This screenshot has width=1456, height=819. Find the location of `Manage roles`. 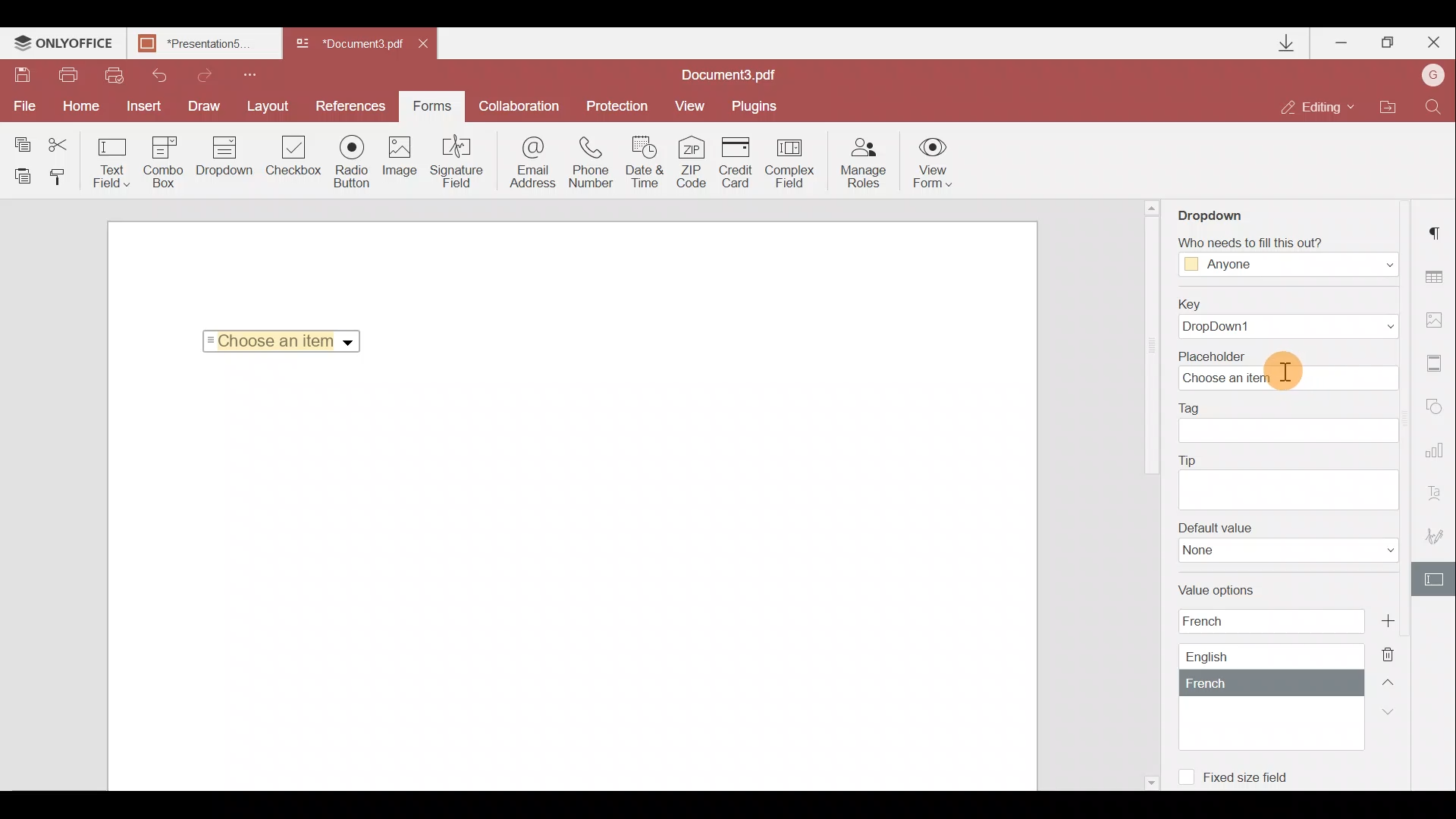

Manage roles is located at coordinates (863, 163).